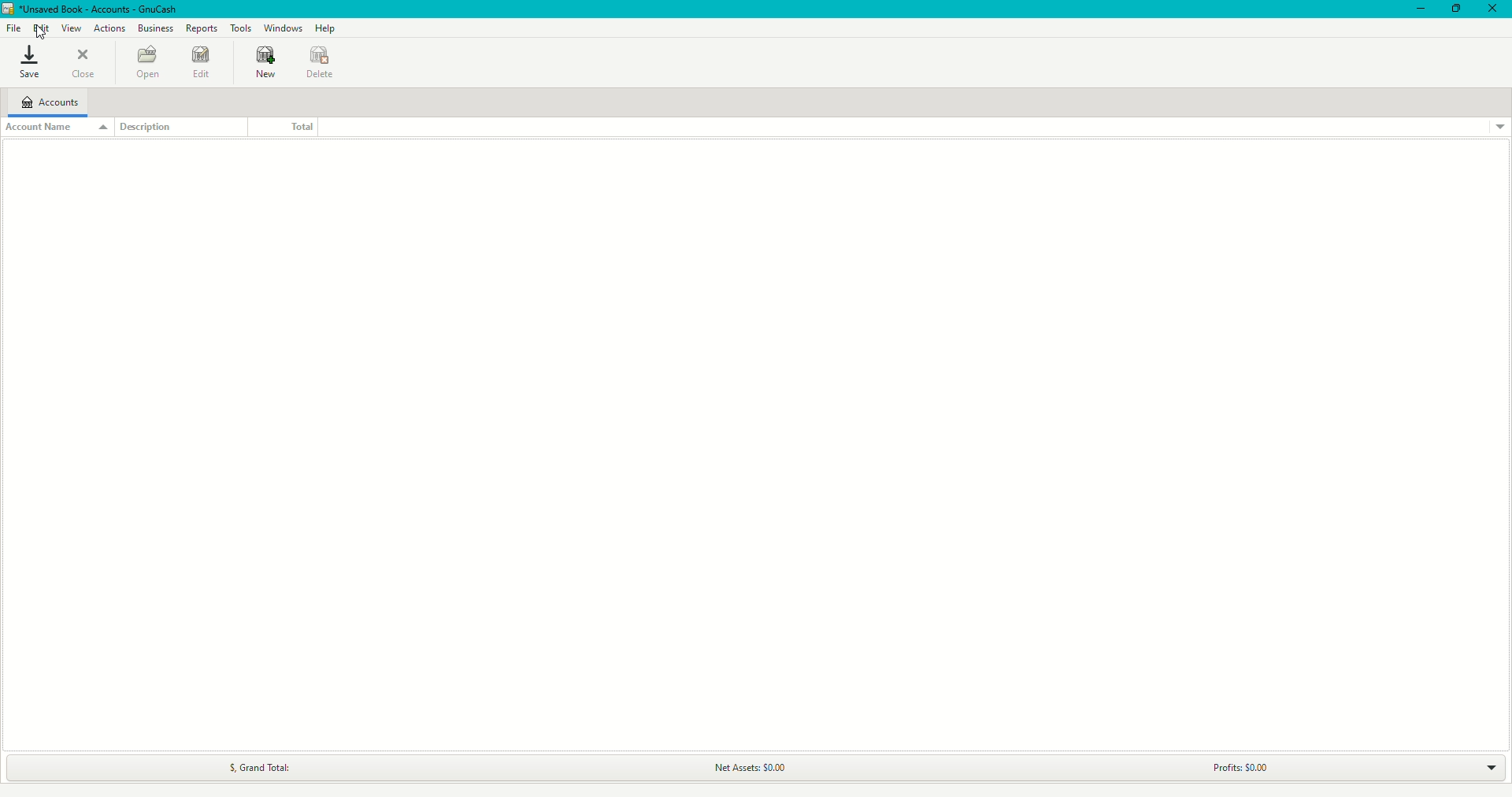 The width and height of the screenshot is (1512, 797). What do you see at coordinates (49, 102) in the screenshot?
I see `Accounts` at bounding box center [49, 102].